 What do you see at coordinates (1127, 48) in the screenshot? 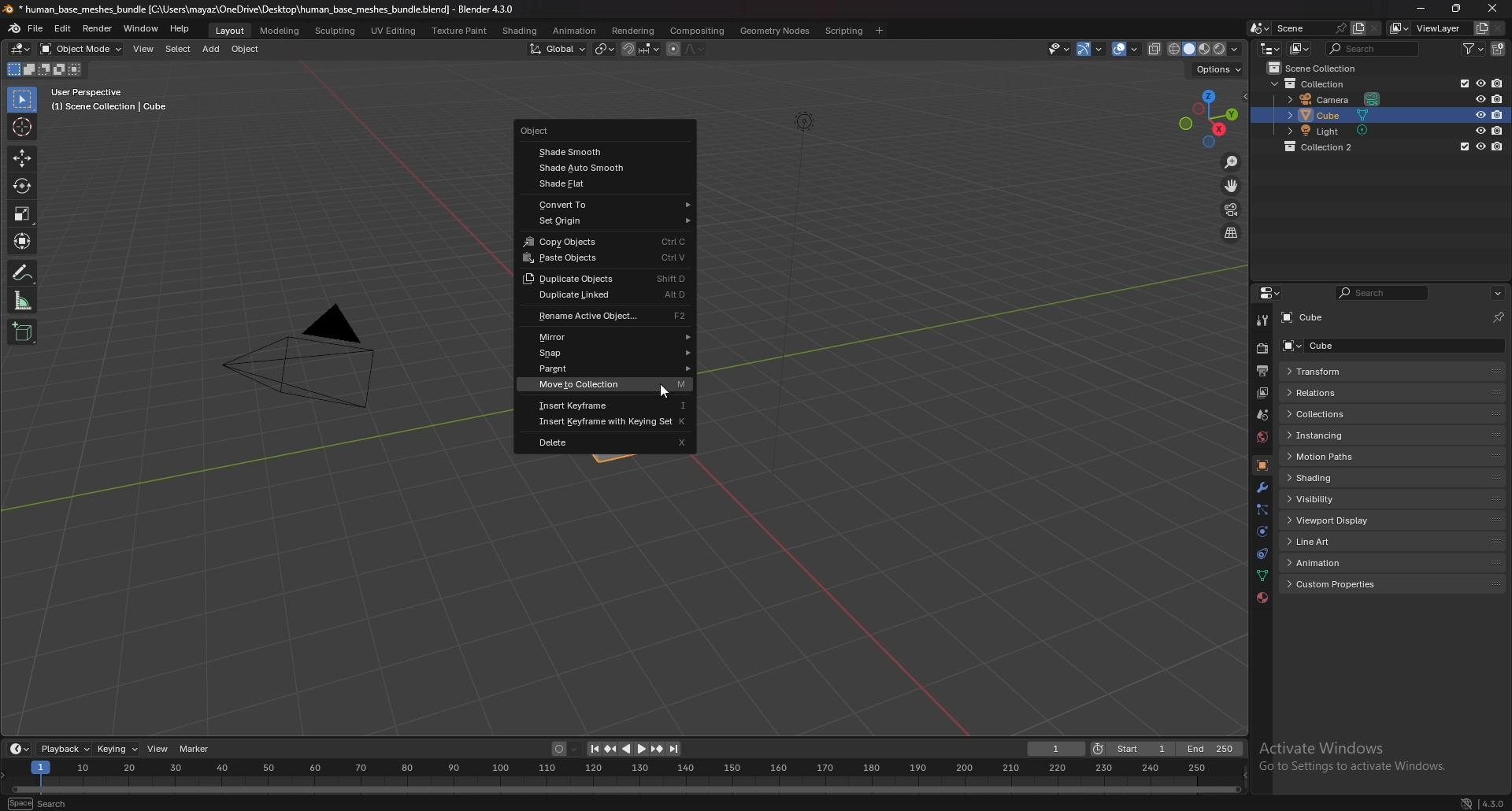
I see `show overlays` at bounding box center [1127, 48].